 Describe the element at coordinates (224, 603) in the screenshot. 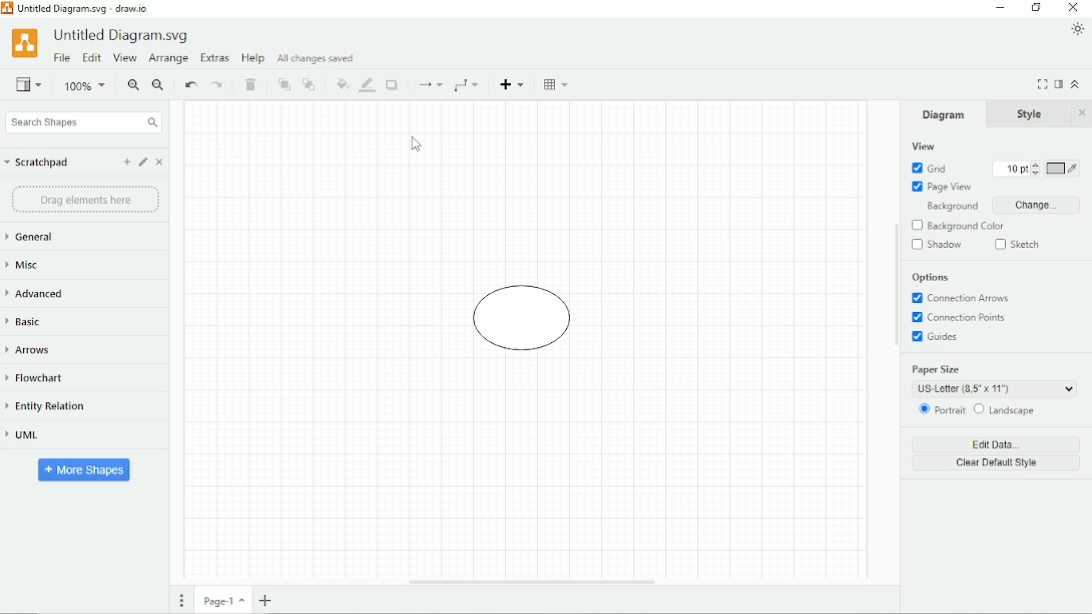

I see `Page number` at that location.